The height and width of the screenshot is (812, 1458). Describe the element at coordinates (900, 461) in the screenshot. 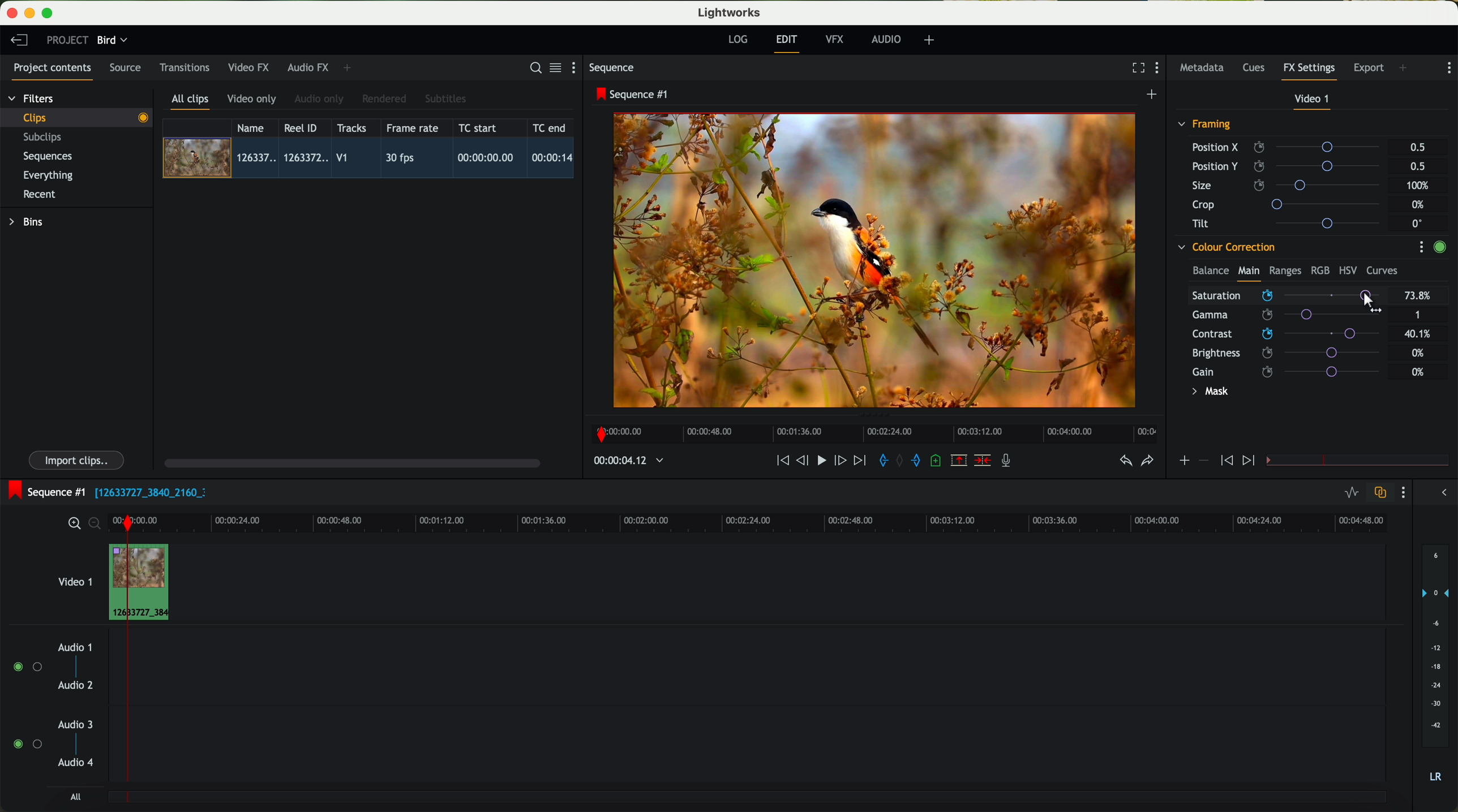

I see `clear marks` at that location.